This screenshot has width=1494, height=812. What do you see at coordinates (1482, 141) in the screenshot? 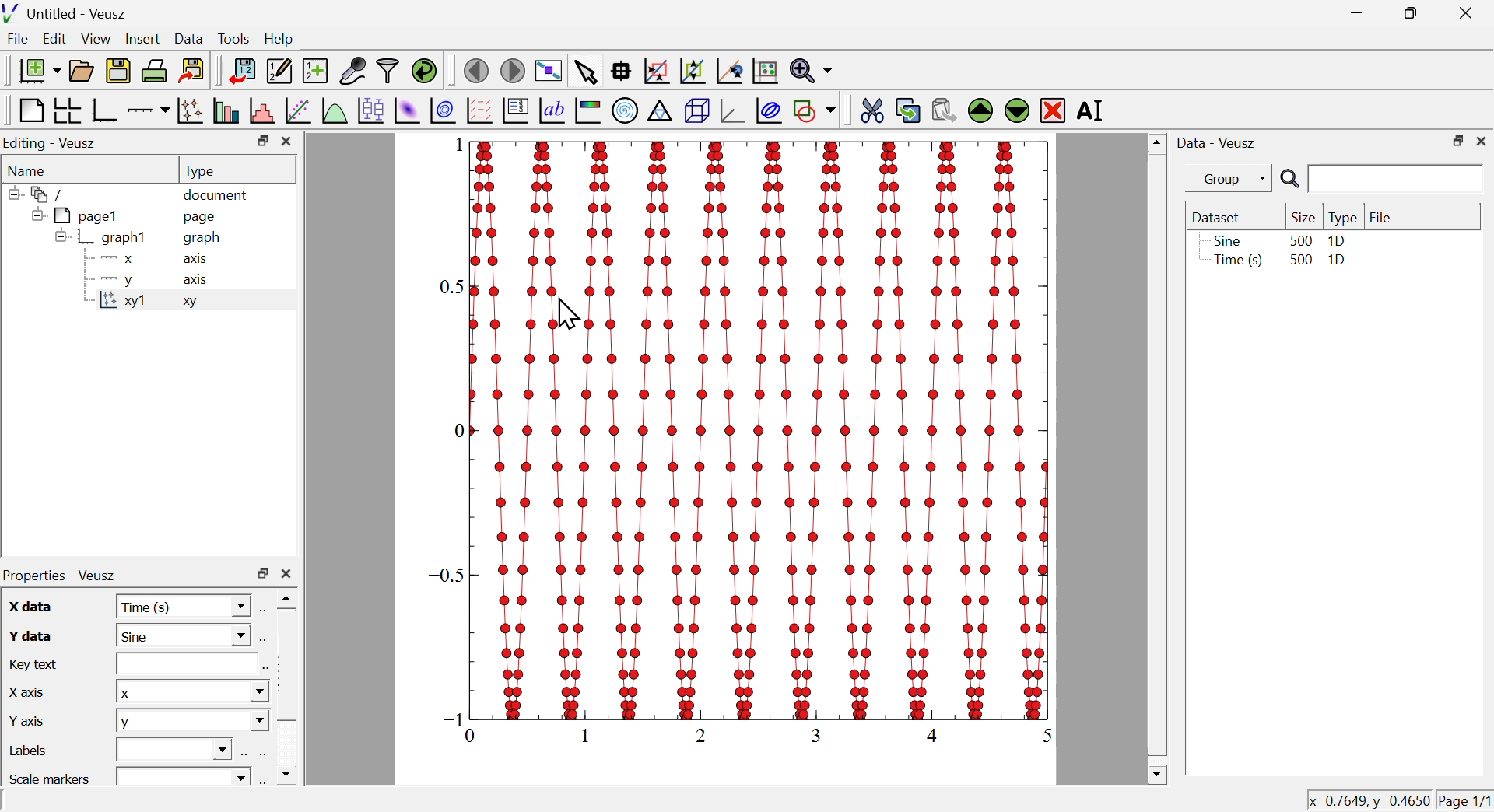
I see `close` at bounding box center [1482, 141].